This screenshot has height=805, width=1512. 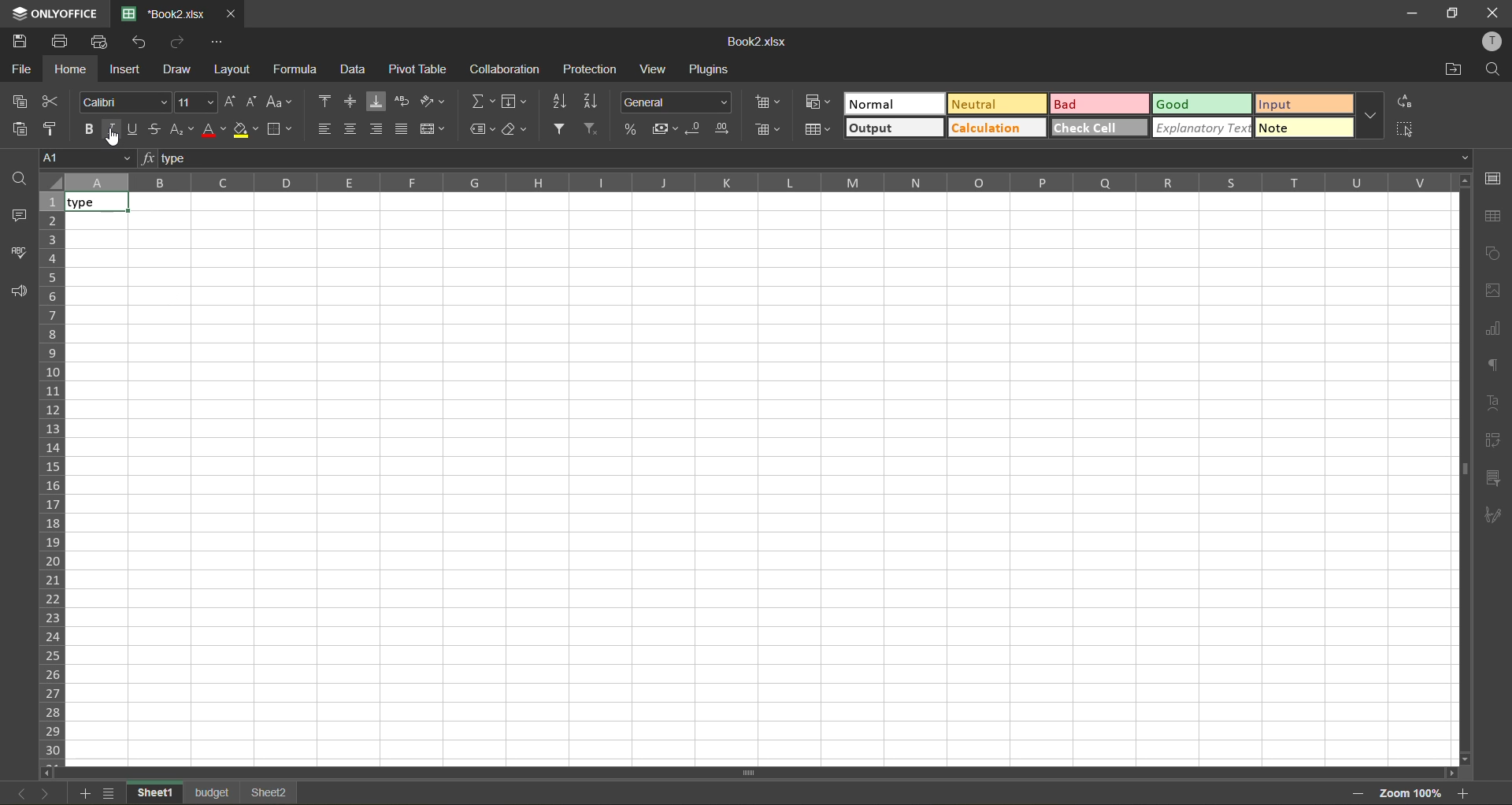 I want to click on redo, so click(x=180, y=43).